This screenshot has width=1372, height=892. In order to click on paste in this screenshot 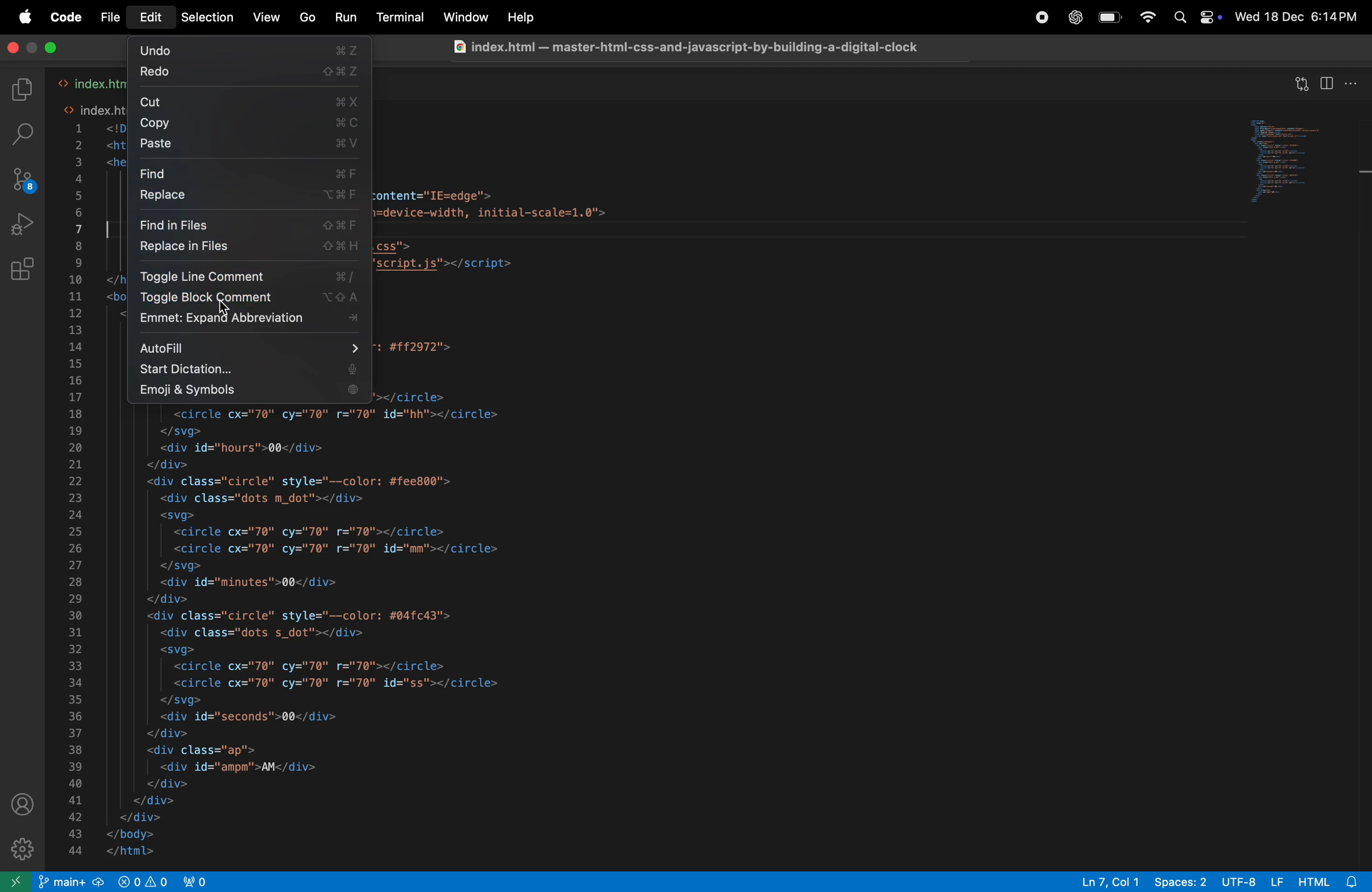, I will do `click(252, 145)`.